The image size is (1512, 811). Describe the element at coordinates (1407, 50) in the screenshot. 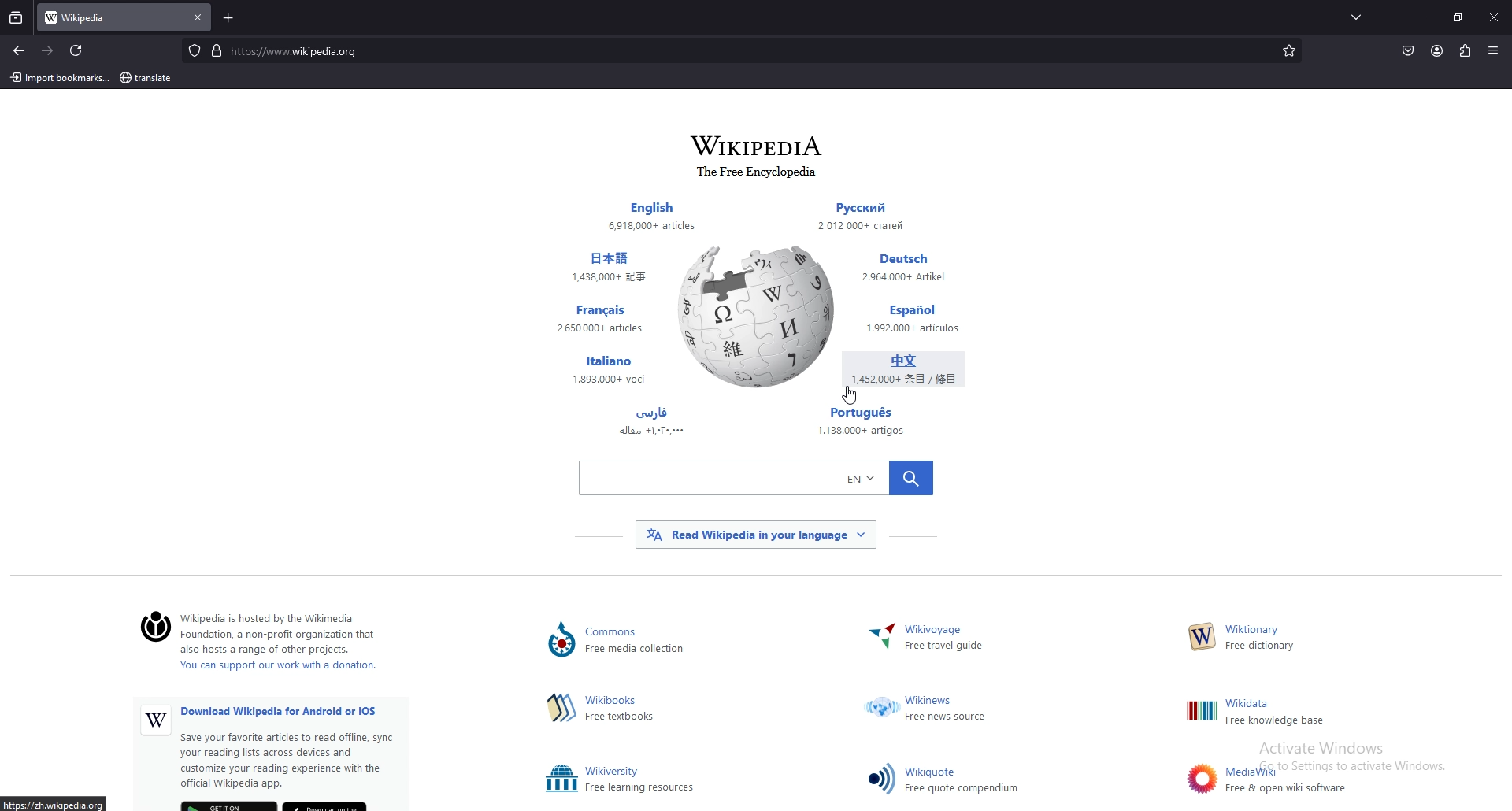

I see `save to pocket` at that location.